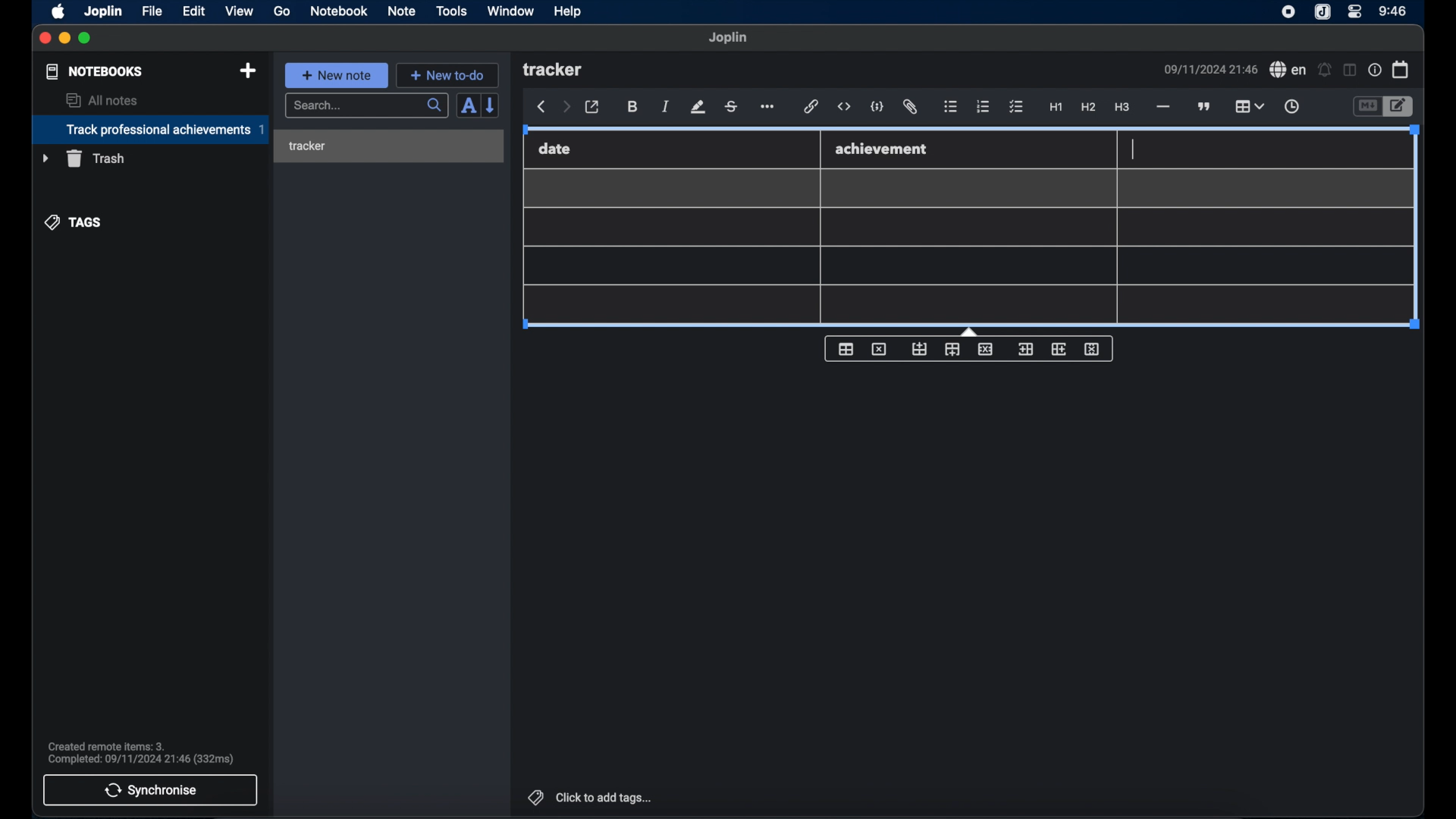  I want to click on joplin icon, so click(1288, 13).